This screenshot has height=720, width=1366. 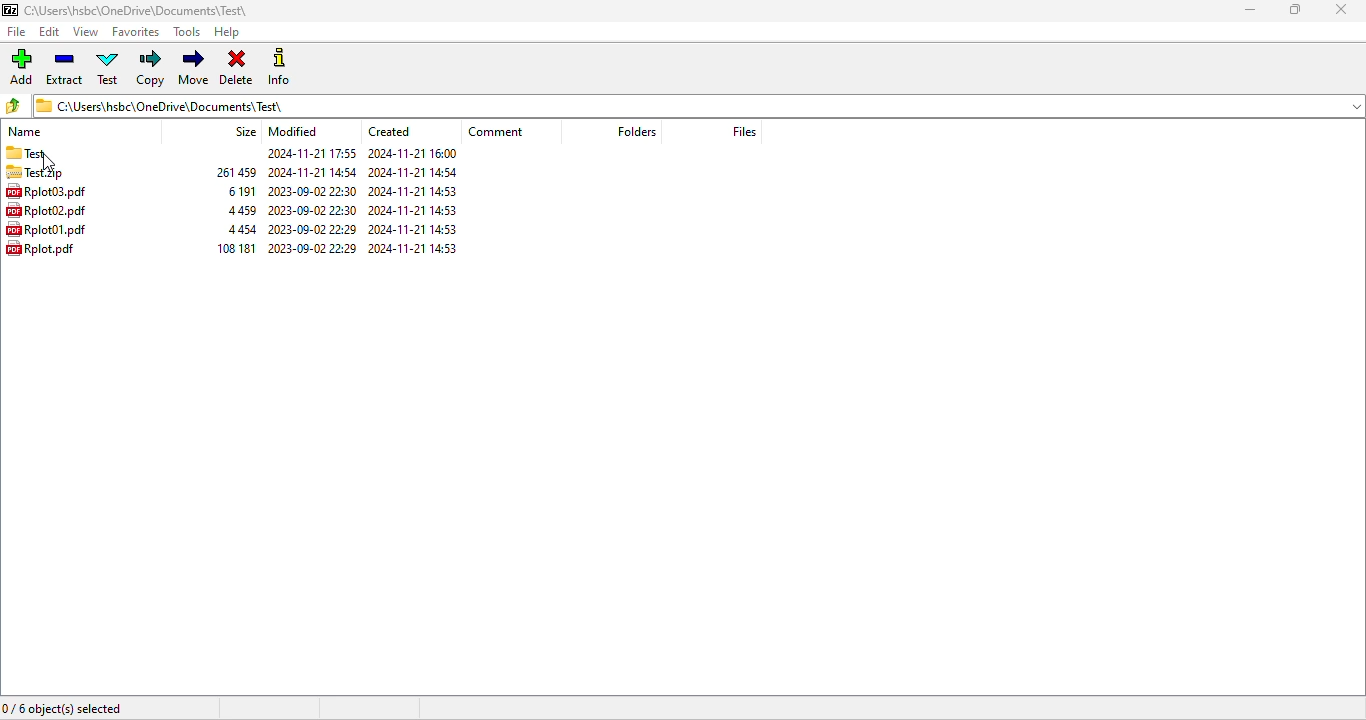 I want to click on help, so click(x=226, y=32).